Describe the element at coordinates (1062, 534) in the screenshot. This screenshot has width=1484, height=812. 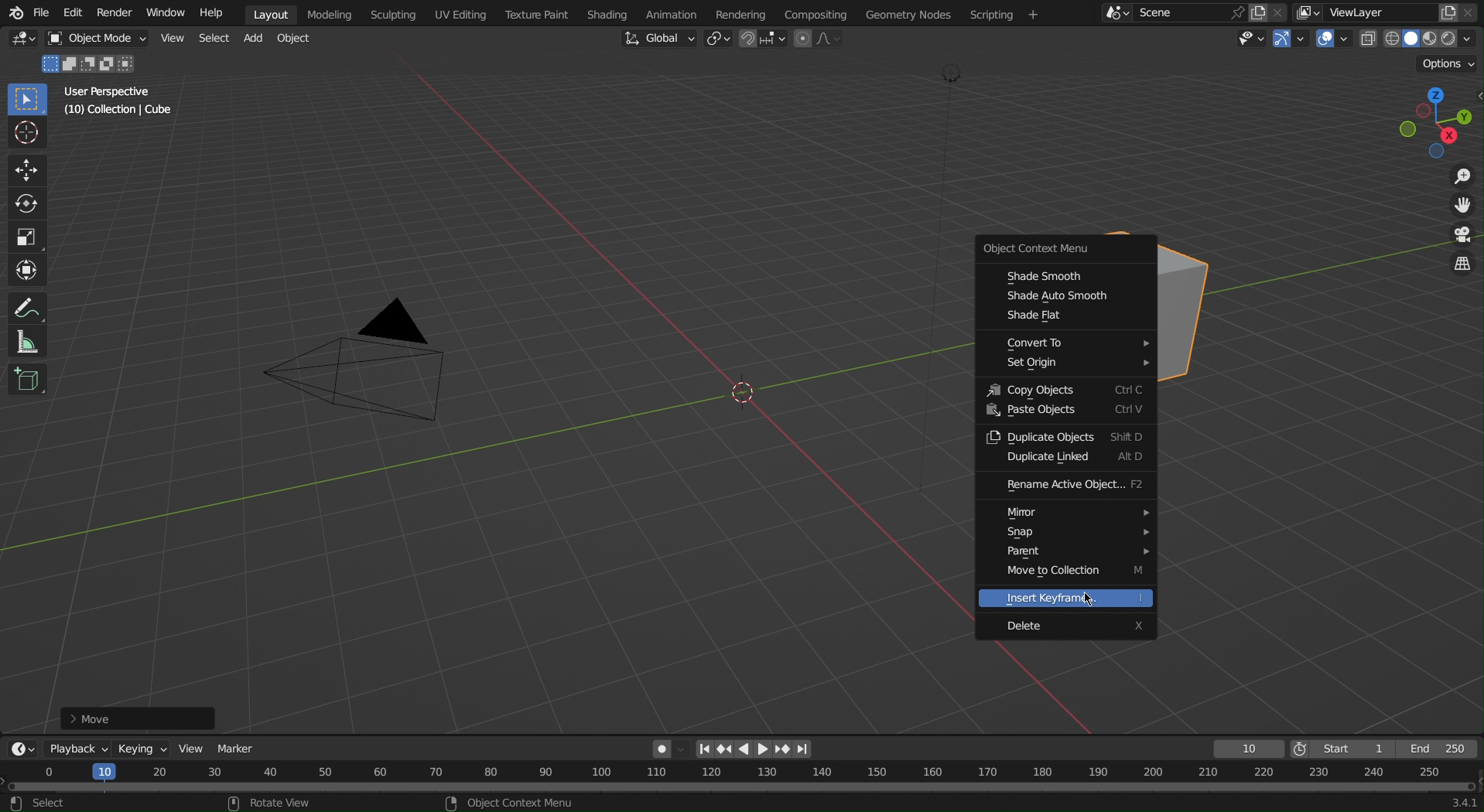
I see `Snap` at that location.